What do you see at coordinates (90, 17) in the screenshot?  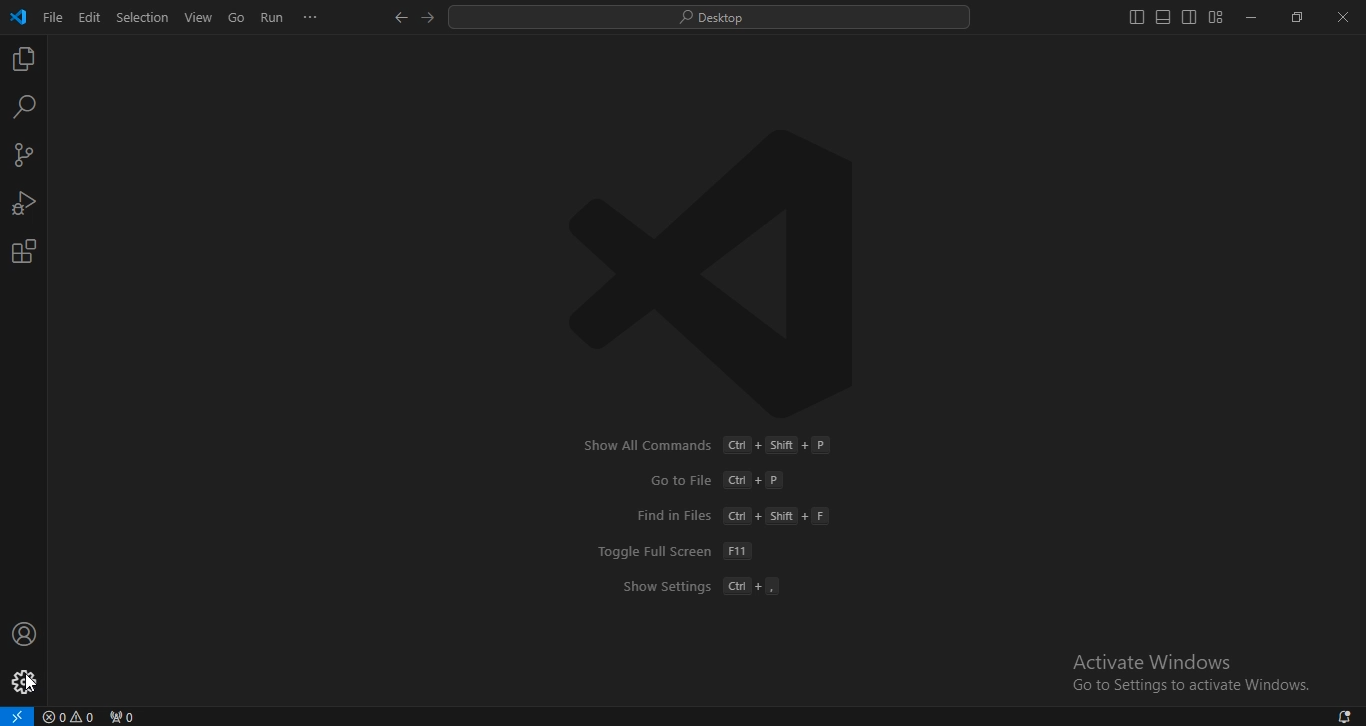 I see `edit` at bounding box center [90, 17].